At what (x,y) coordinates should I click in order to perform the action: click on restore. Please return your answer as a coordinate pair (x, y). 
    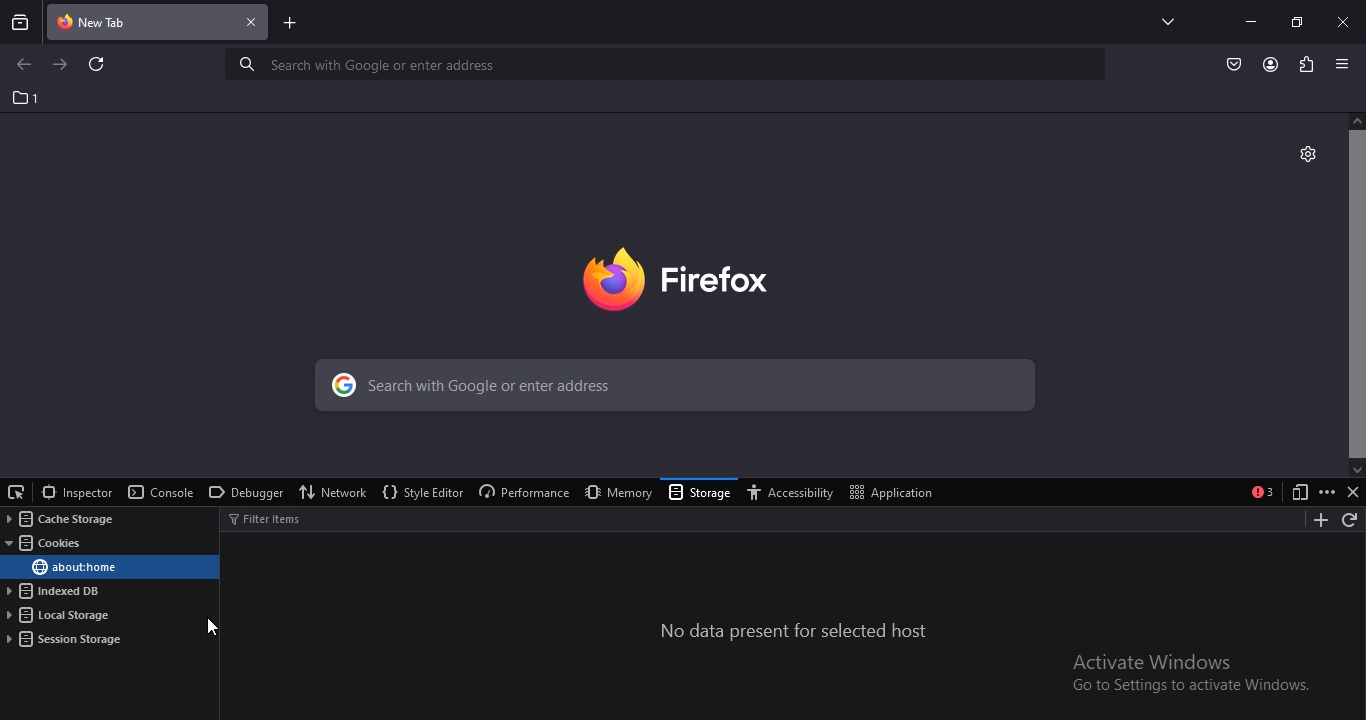
    Looking at the image, I should click on (1296, 21).